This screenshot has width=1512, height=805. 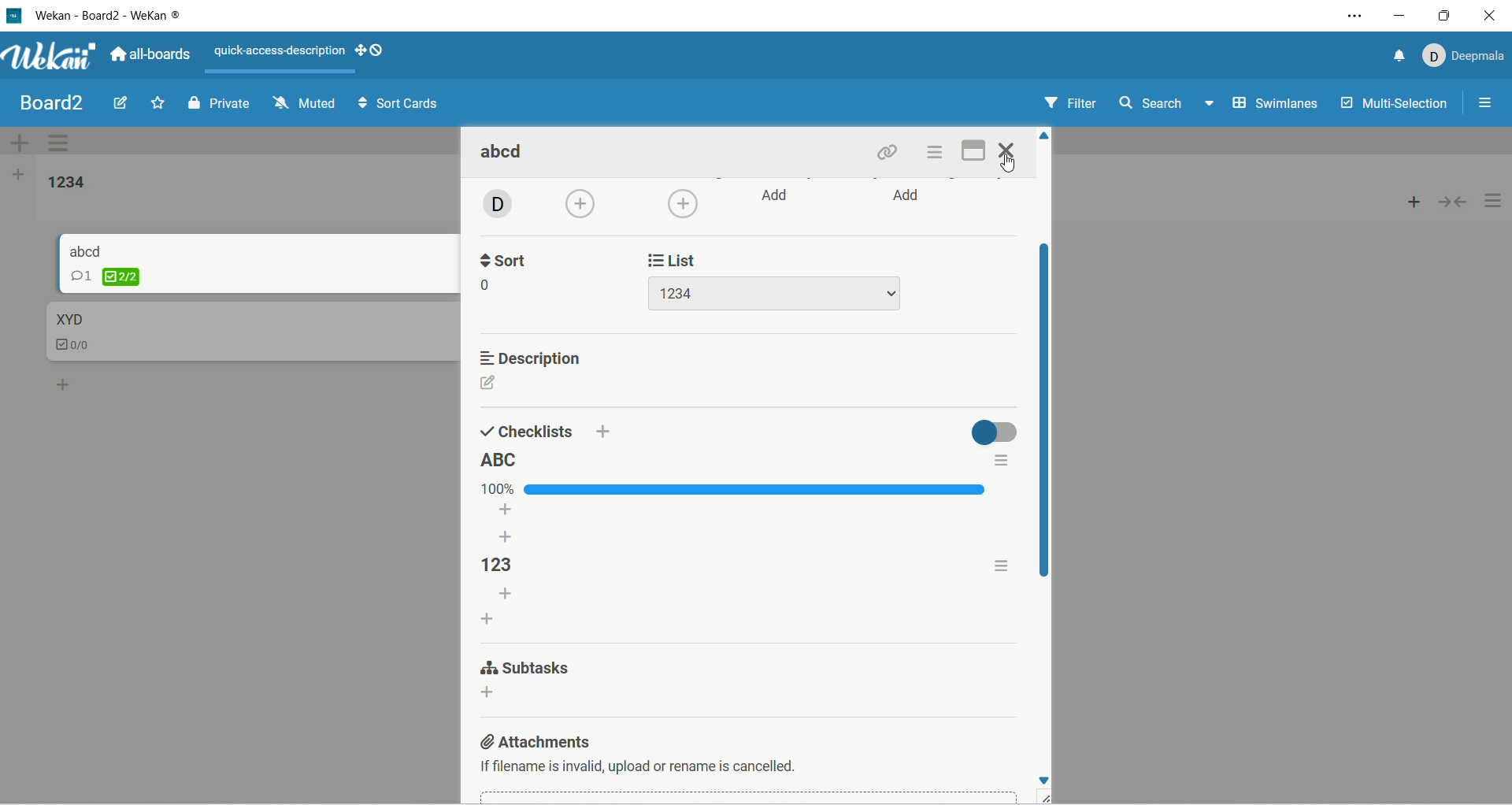 I want to click on list title, so click(x=69, y=183).